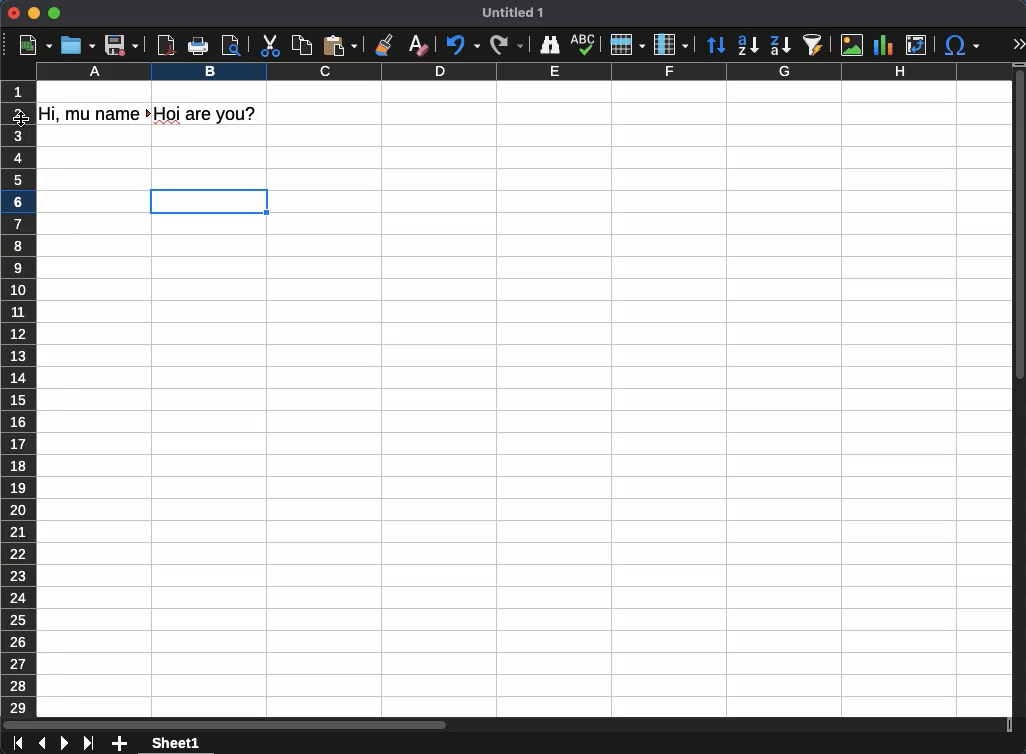  I want to click on paste, so click(342, 44).